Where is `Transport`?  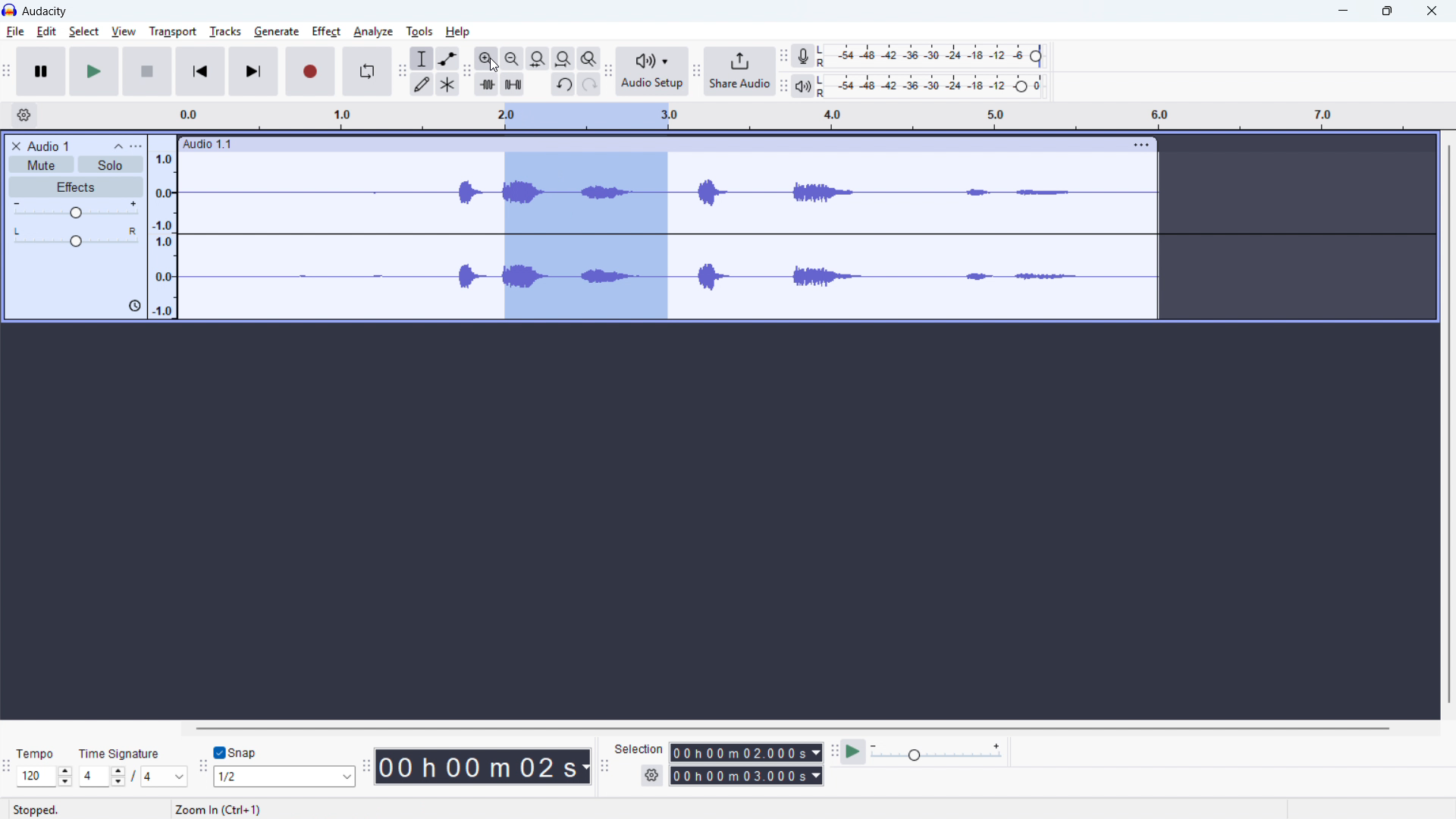 Transport is located at coordinates (173, 32).